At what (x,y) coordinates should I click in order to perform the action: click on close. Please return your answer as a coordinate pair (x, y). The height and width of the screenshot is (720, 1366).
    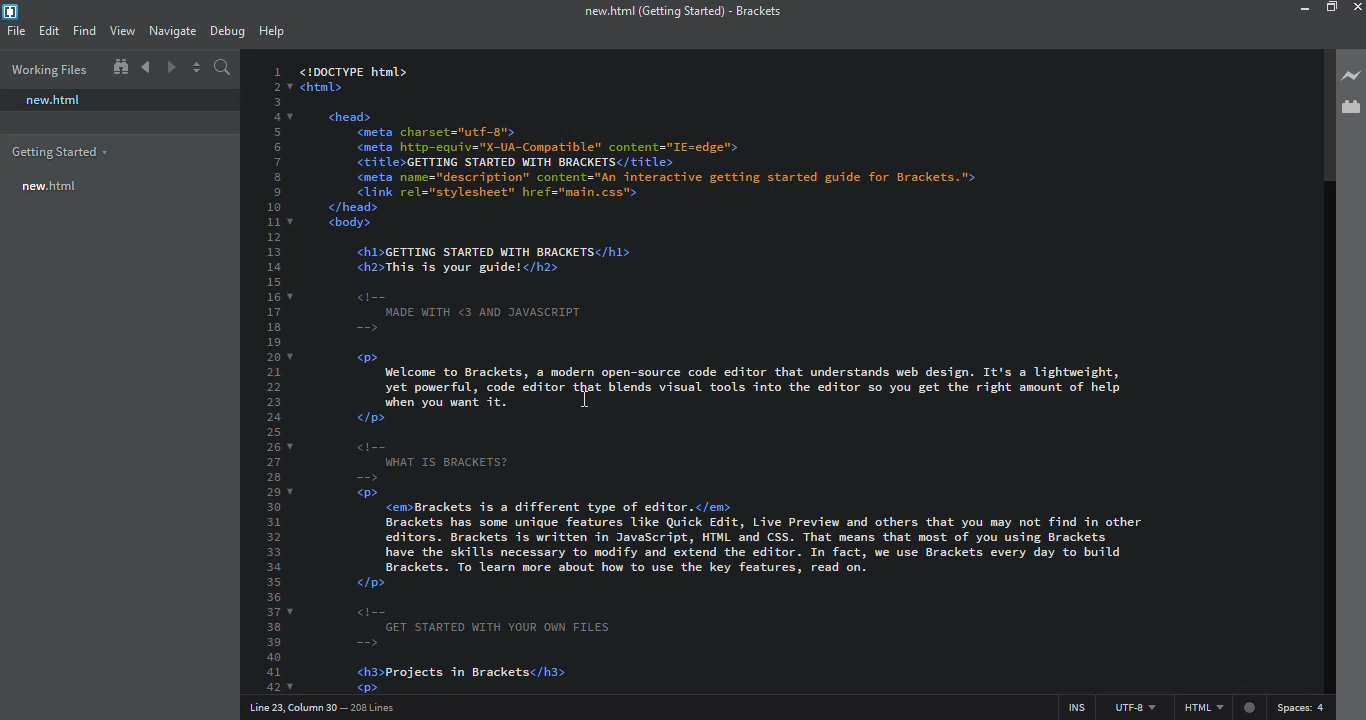
    Looking at the image, I should click on (1361, 6).